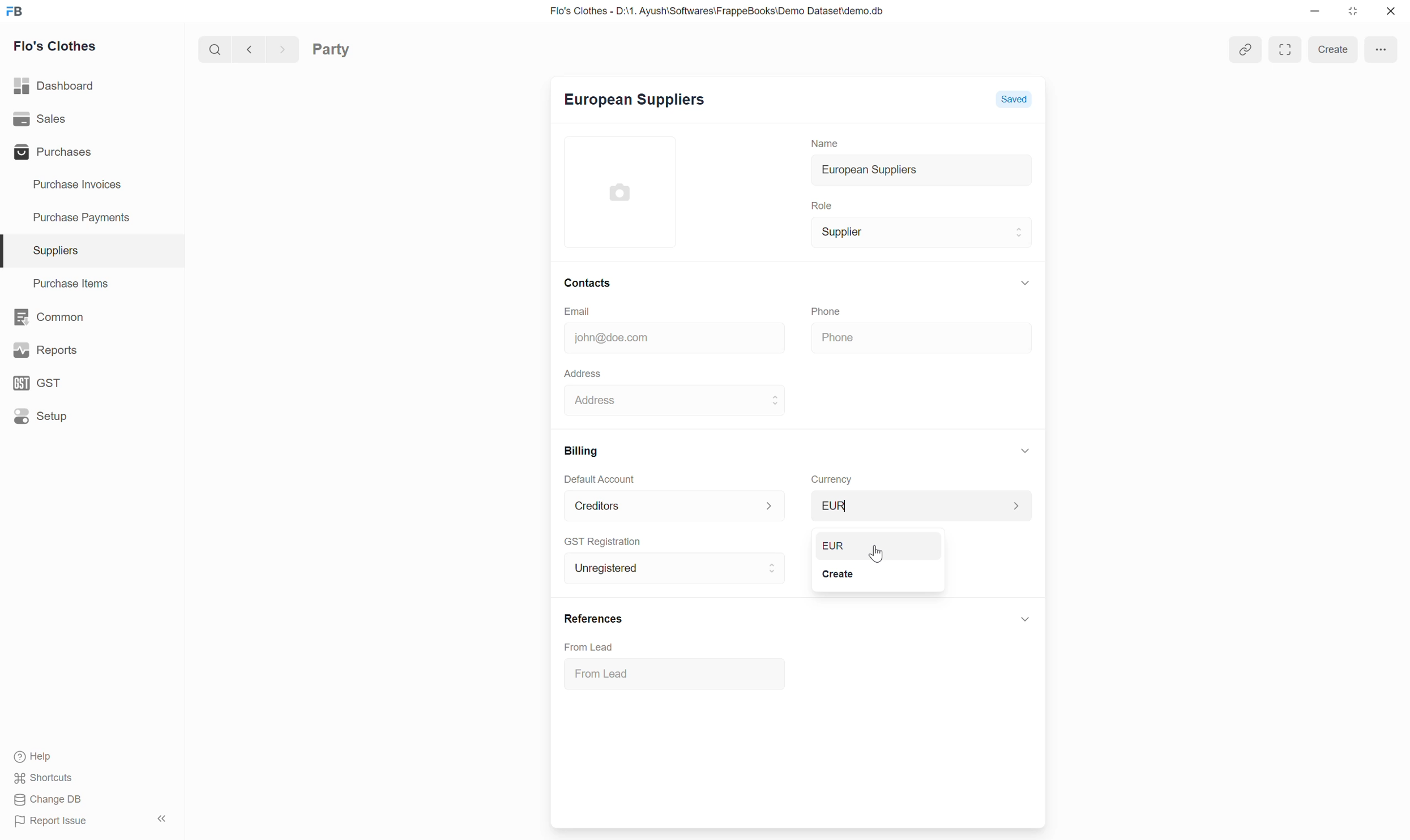  Describe the element at coordinates (598, 478) in the screenshot. I see `Default Account` at that location.